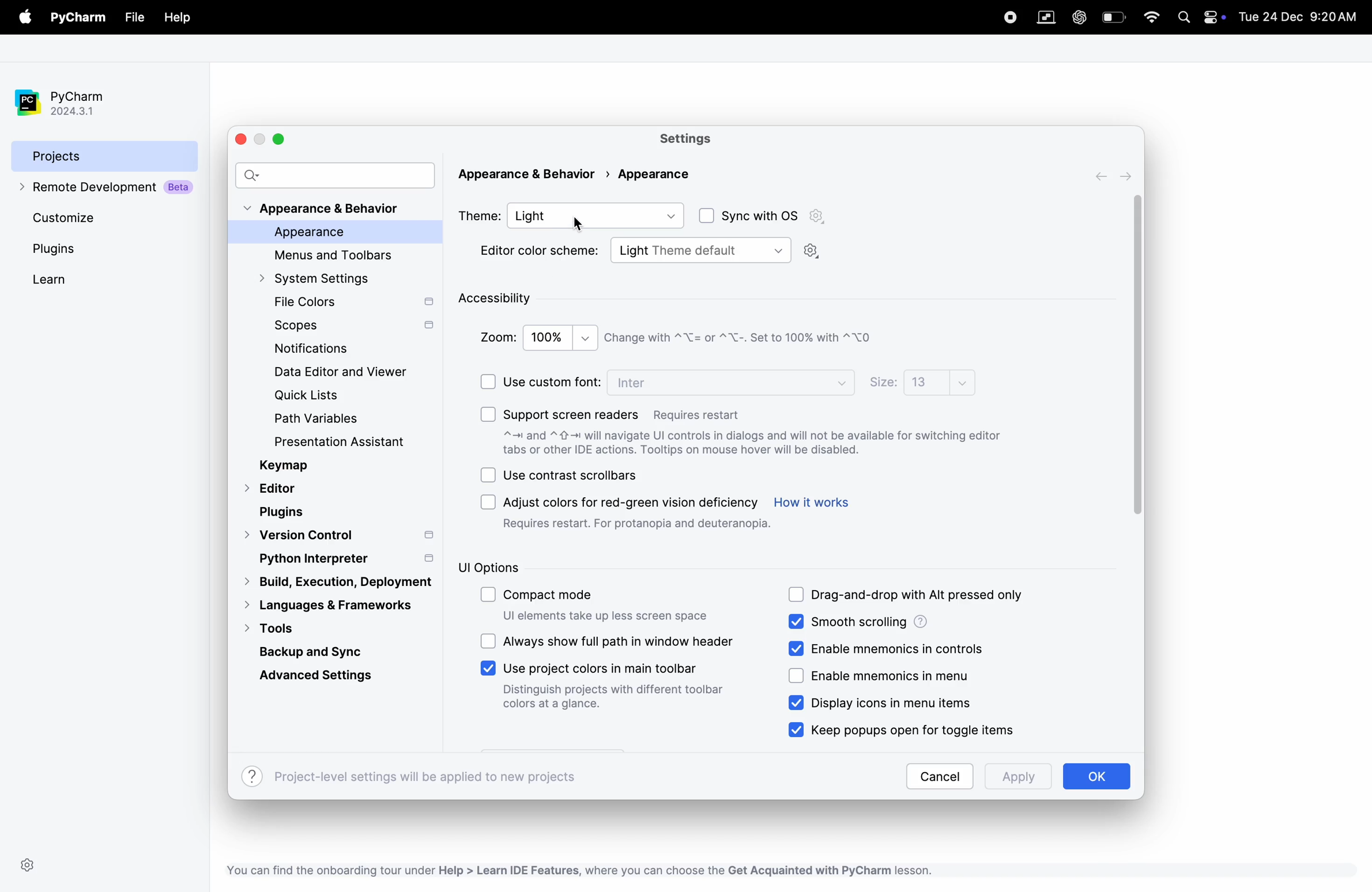 The width and height of the screenshot is (1372, 892). Describe the element at coordinates (352, 327) in the screenshot. I see `scopes` at that location.